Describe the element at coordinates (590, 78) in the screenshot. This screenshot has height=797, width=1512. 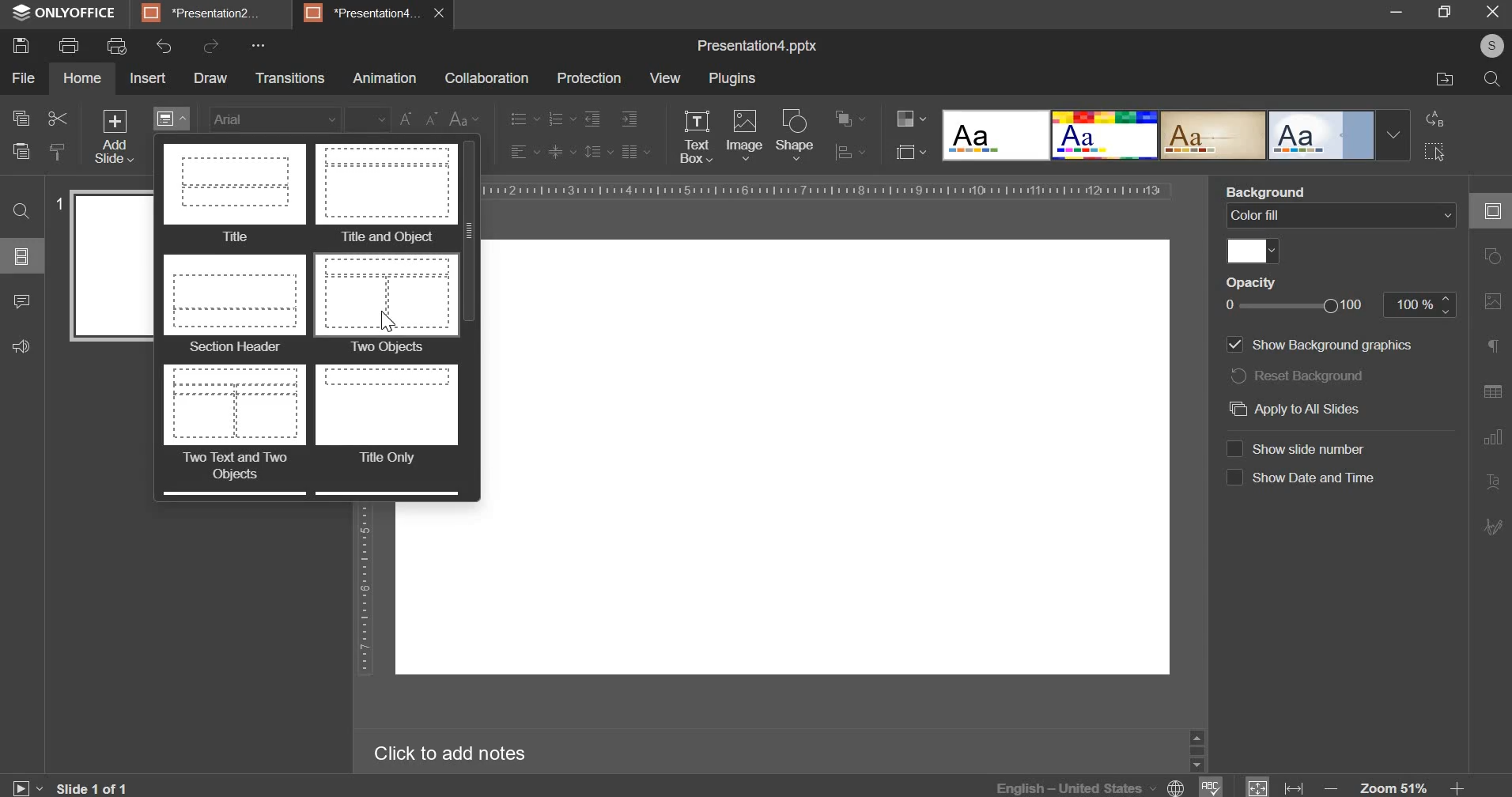
I see `protection` at that location.